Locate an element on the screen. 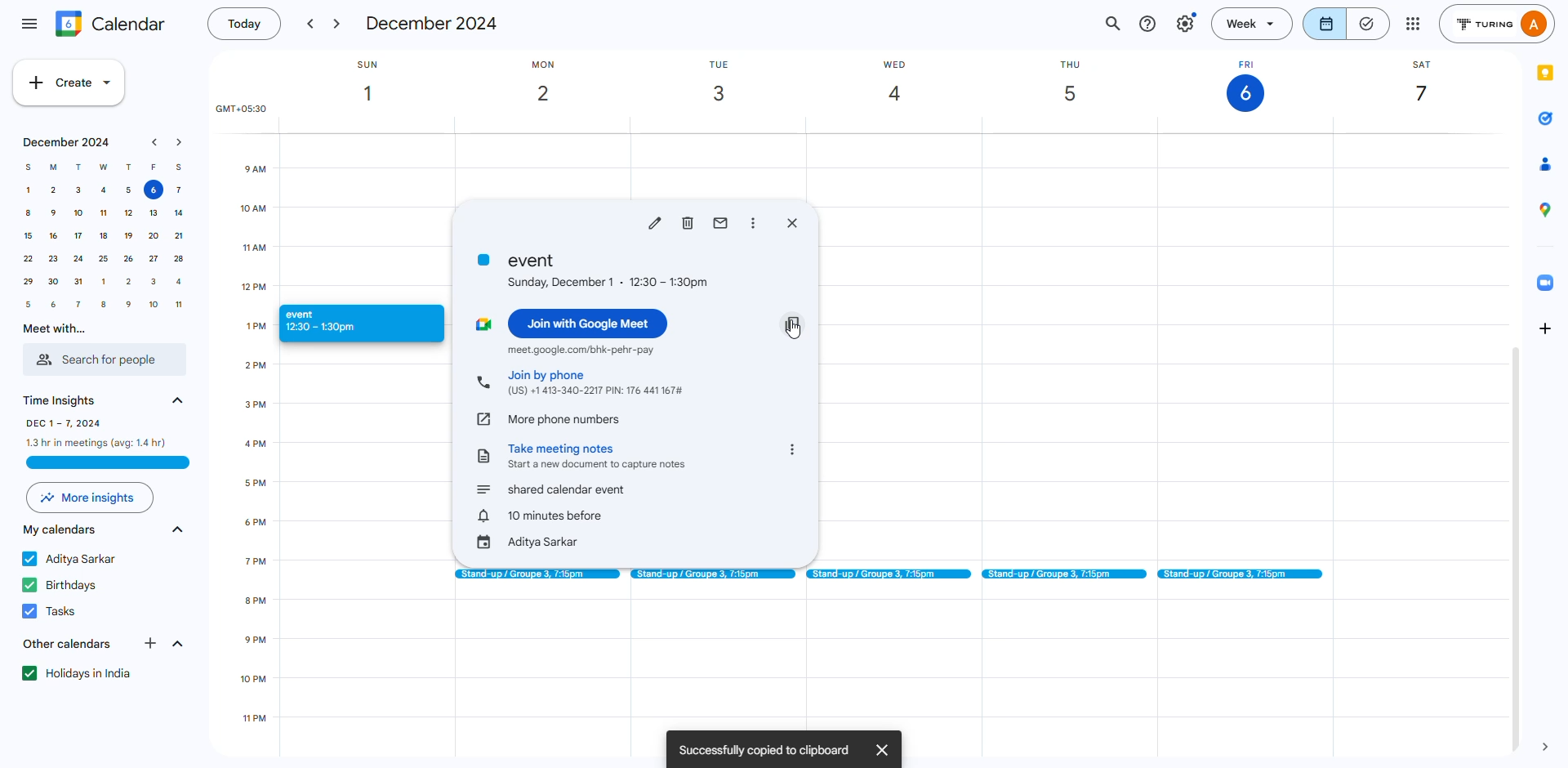 The height and width of the screenshot is (768, 1568). 5 is located at coordinates (128, 190).